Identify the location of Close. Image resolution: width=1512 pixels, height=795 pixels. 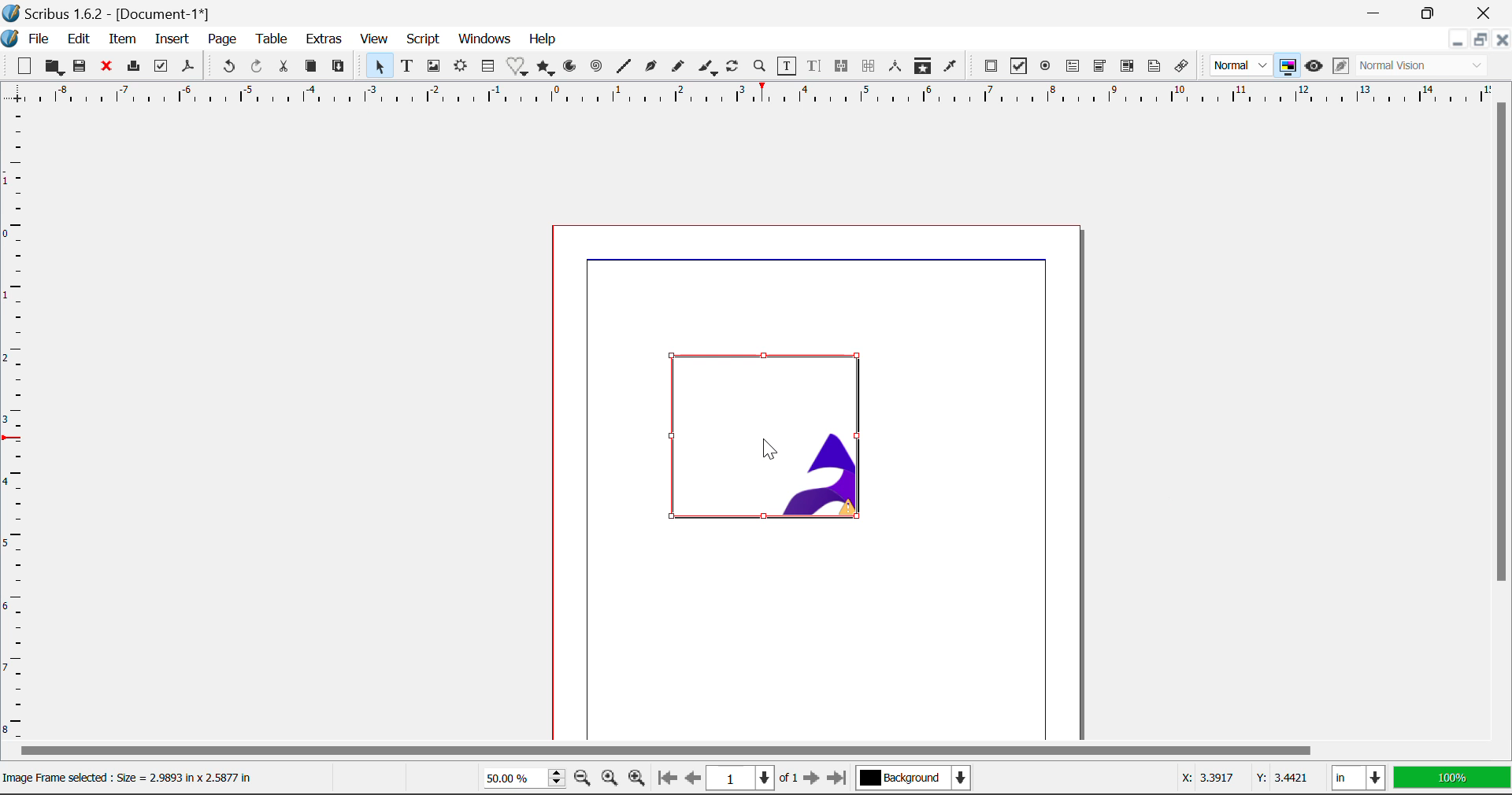
(1503, 39).